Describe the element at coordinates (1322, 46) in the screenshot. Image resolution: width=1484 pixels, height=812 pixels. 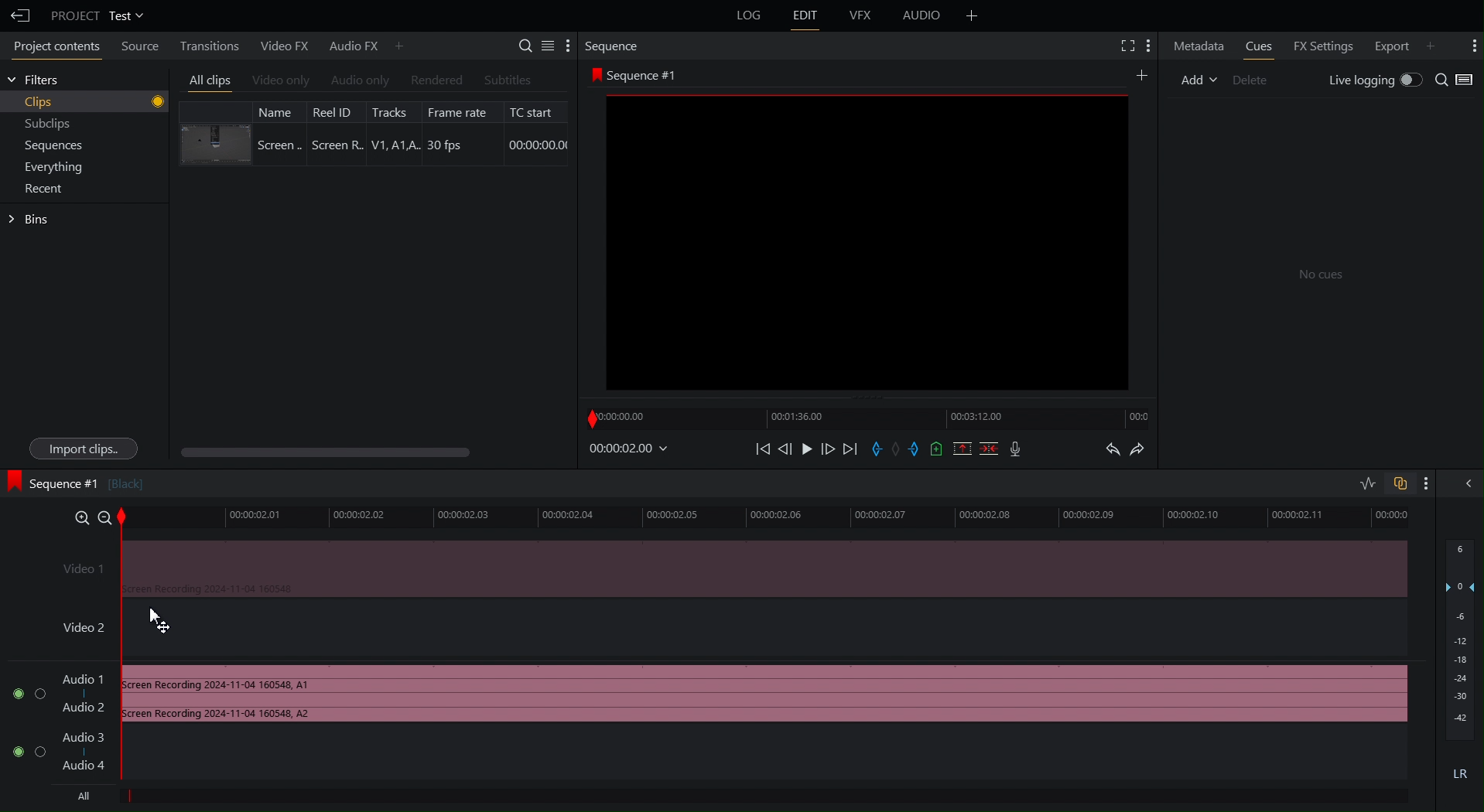
I see `FX Settings` at that location.